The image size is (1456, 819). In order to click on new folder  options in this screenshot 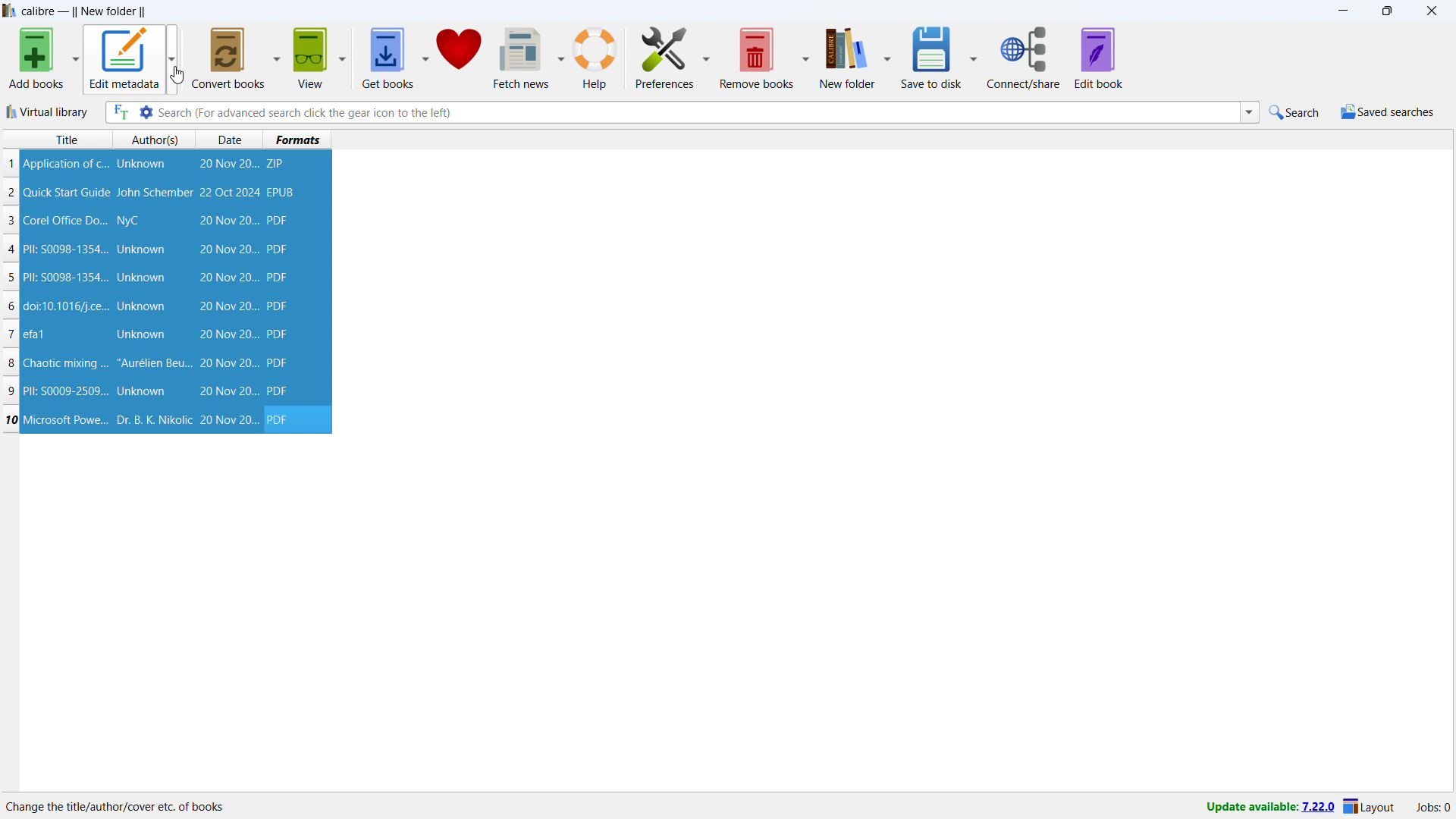, I will do `click(889, 57)`.